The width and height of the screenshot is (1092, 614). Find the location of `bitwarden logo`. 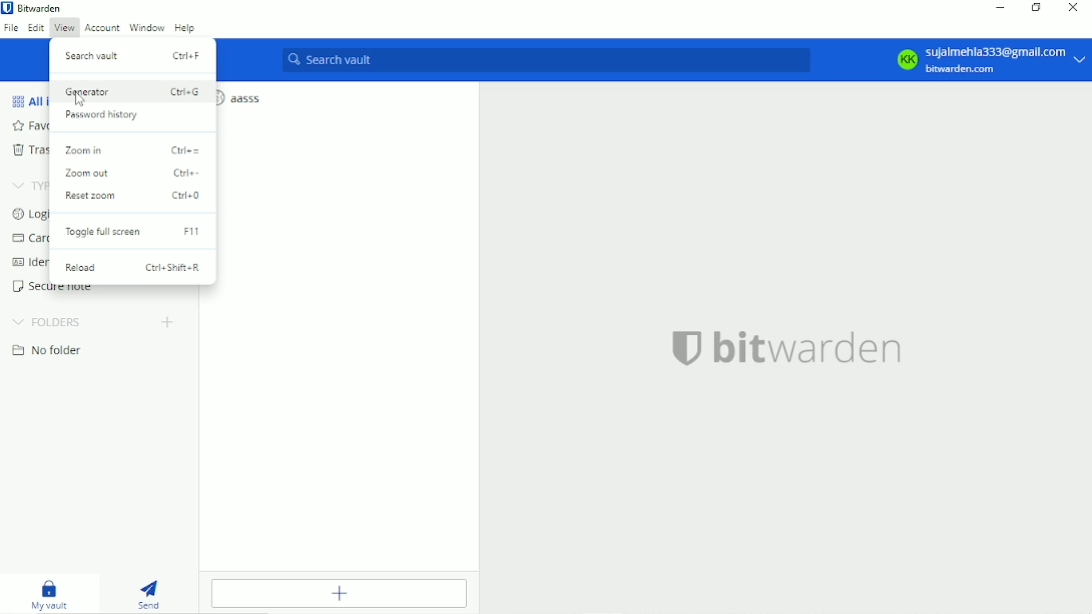

bitwarden logo is located at coordinates (686, 348).